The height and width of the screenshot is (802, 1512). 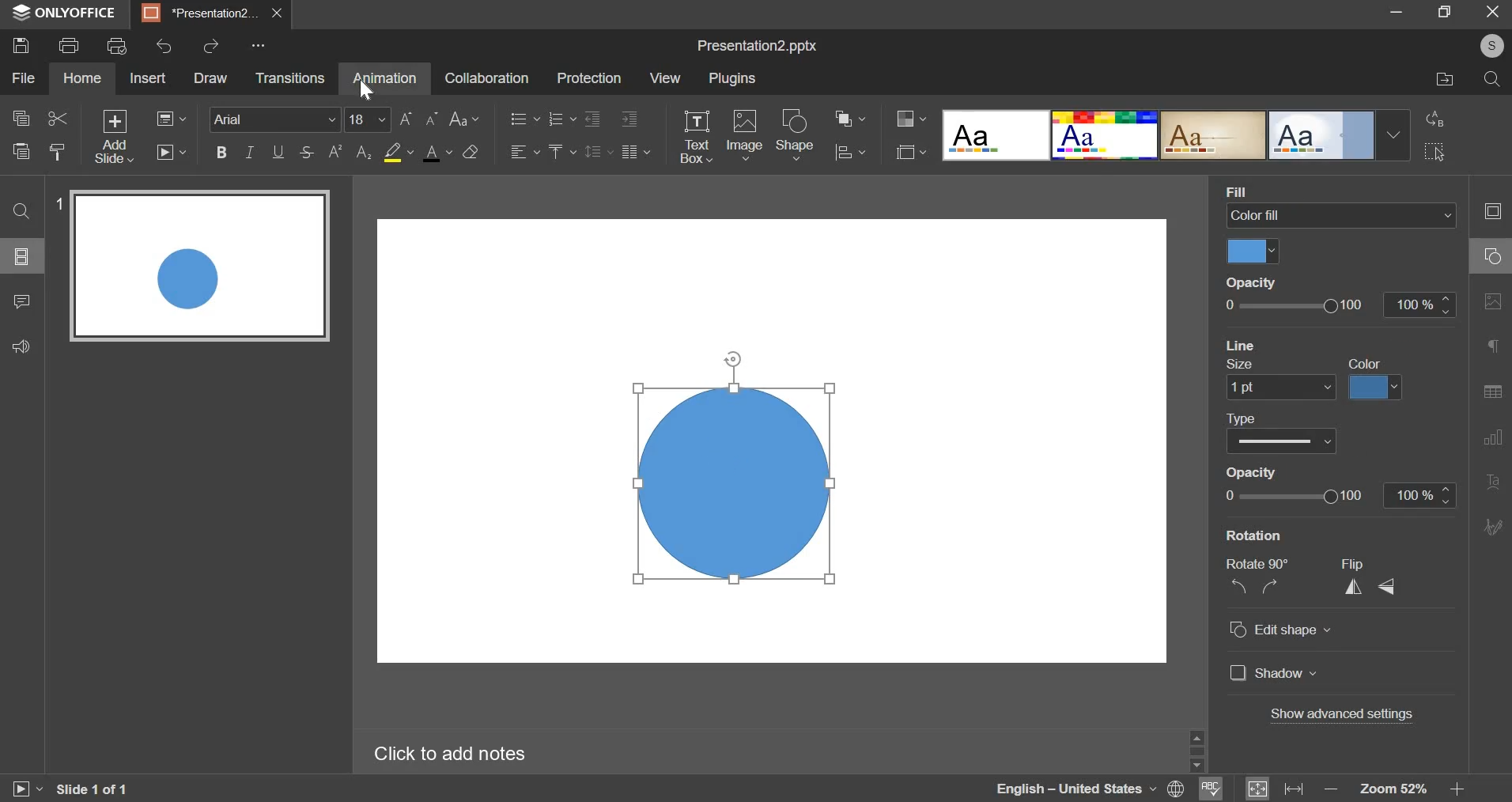 What do you see at coordinates (1259, 191) in the screenshot?
I see `Background` at bounding box center [1259, 191].